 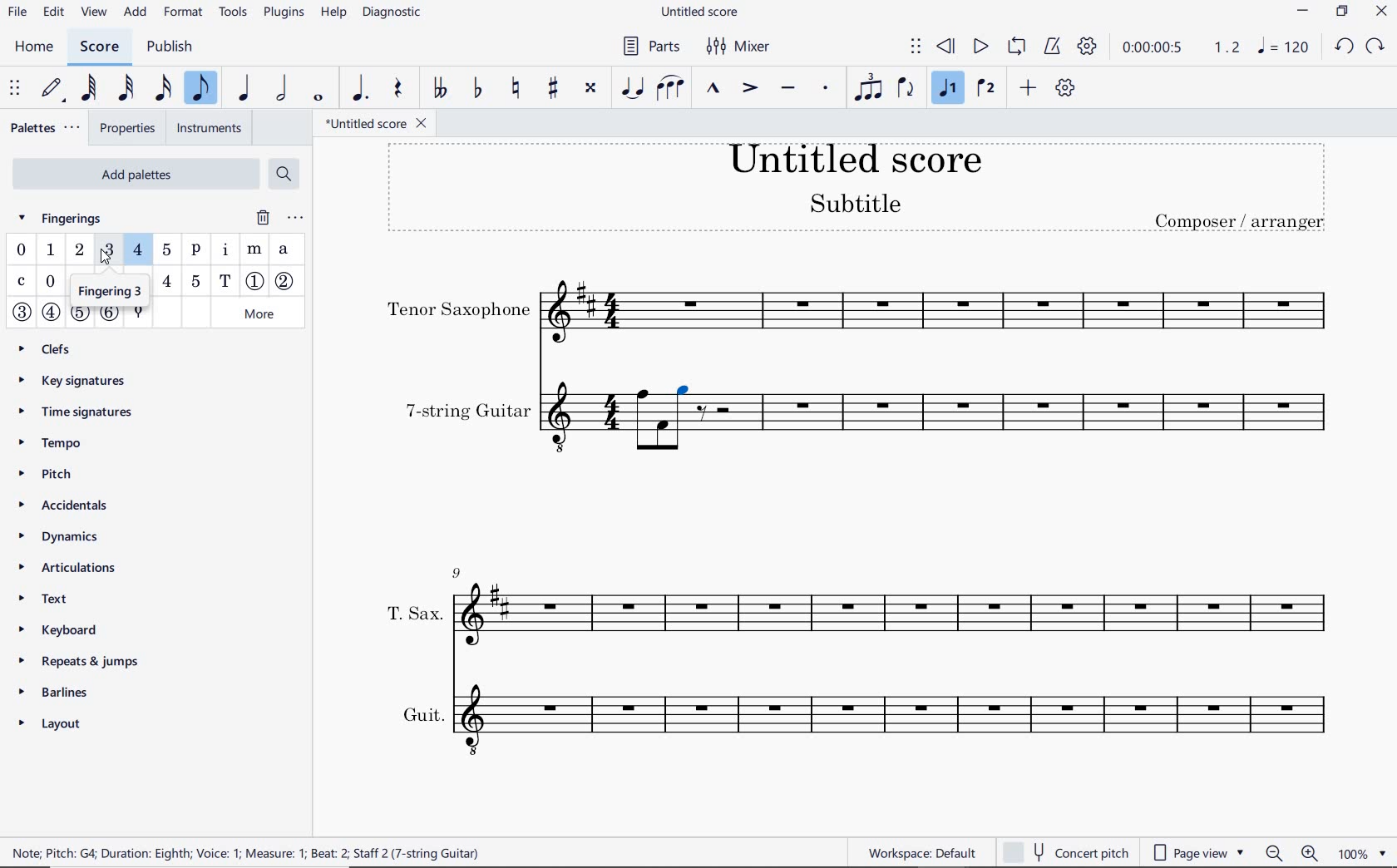 What do you see at coordinates (194, 280) in the screenshot?
I see `LH Guitar Fingering 5` at bounding box center [194, 280].